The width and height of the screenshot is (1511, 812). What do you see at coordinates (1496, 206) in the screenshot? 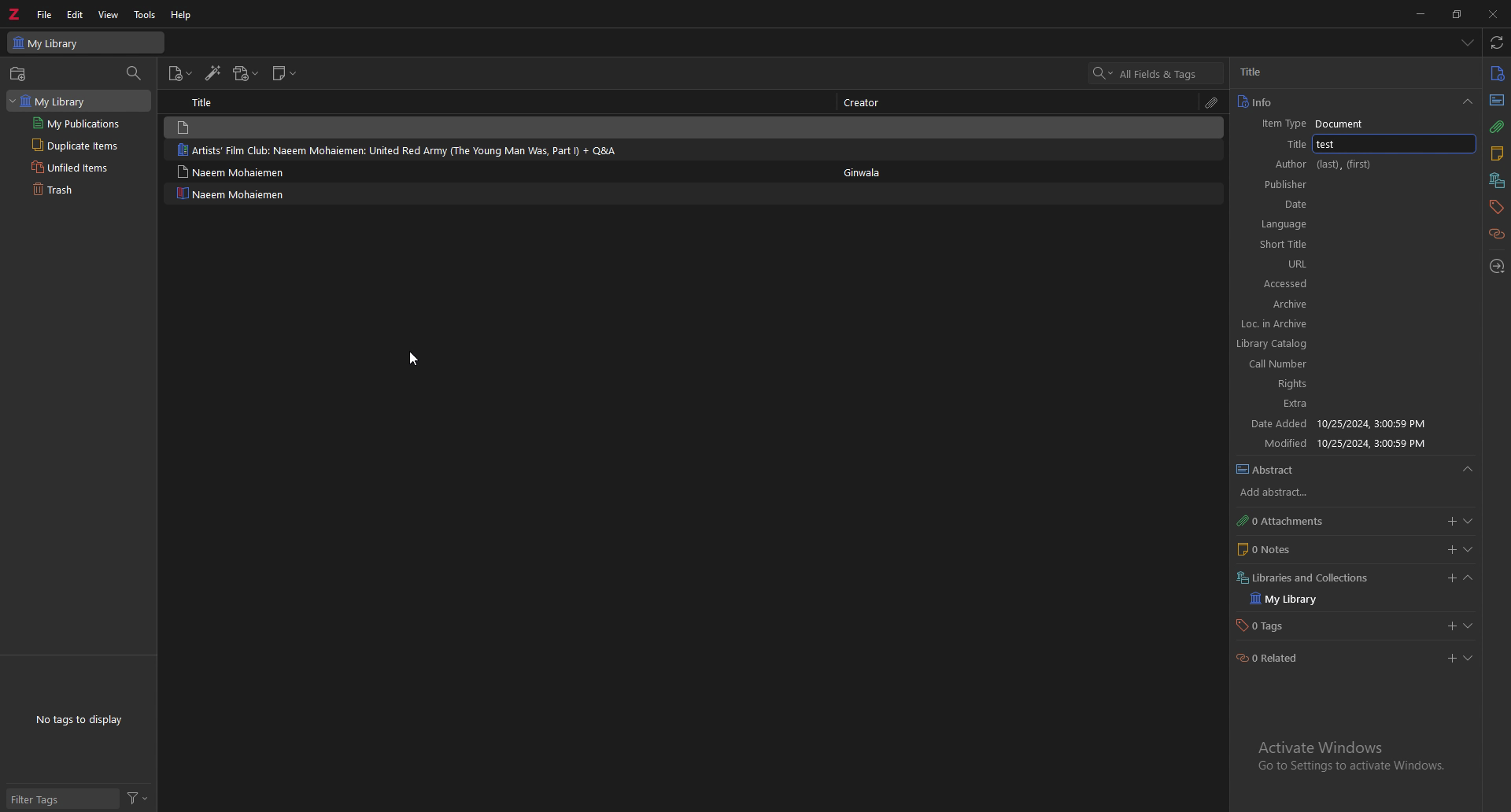
I see `tags` at bounding box center [1496, 206].